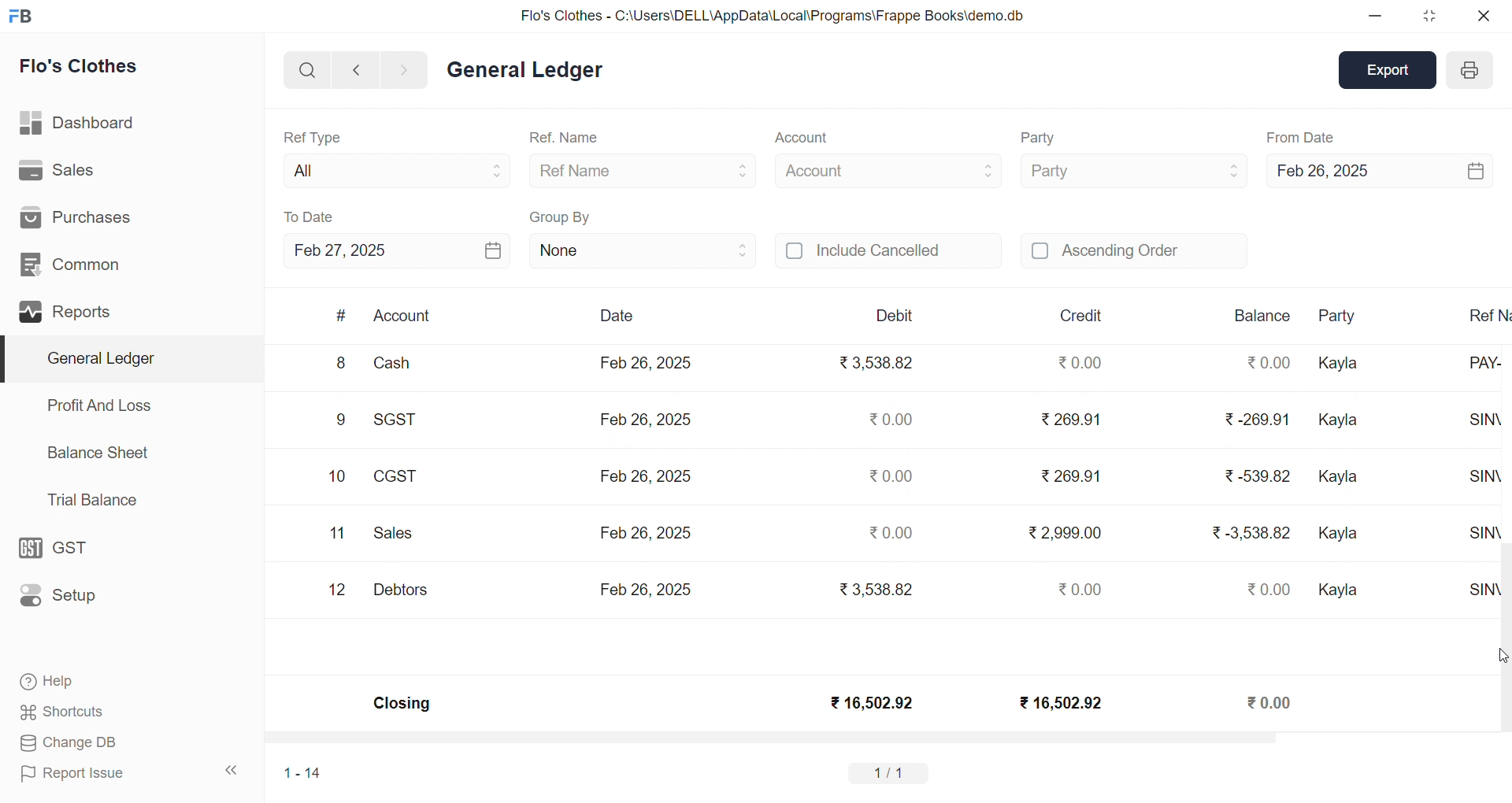 Image resolution: width=1512 pixels, height=803 pixels. I want to click on ₹0.00, so click(891, 476).